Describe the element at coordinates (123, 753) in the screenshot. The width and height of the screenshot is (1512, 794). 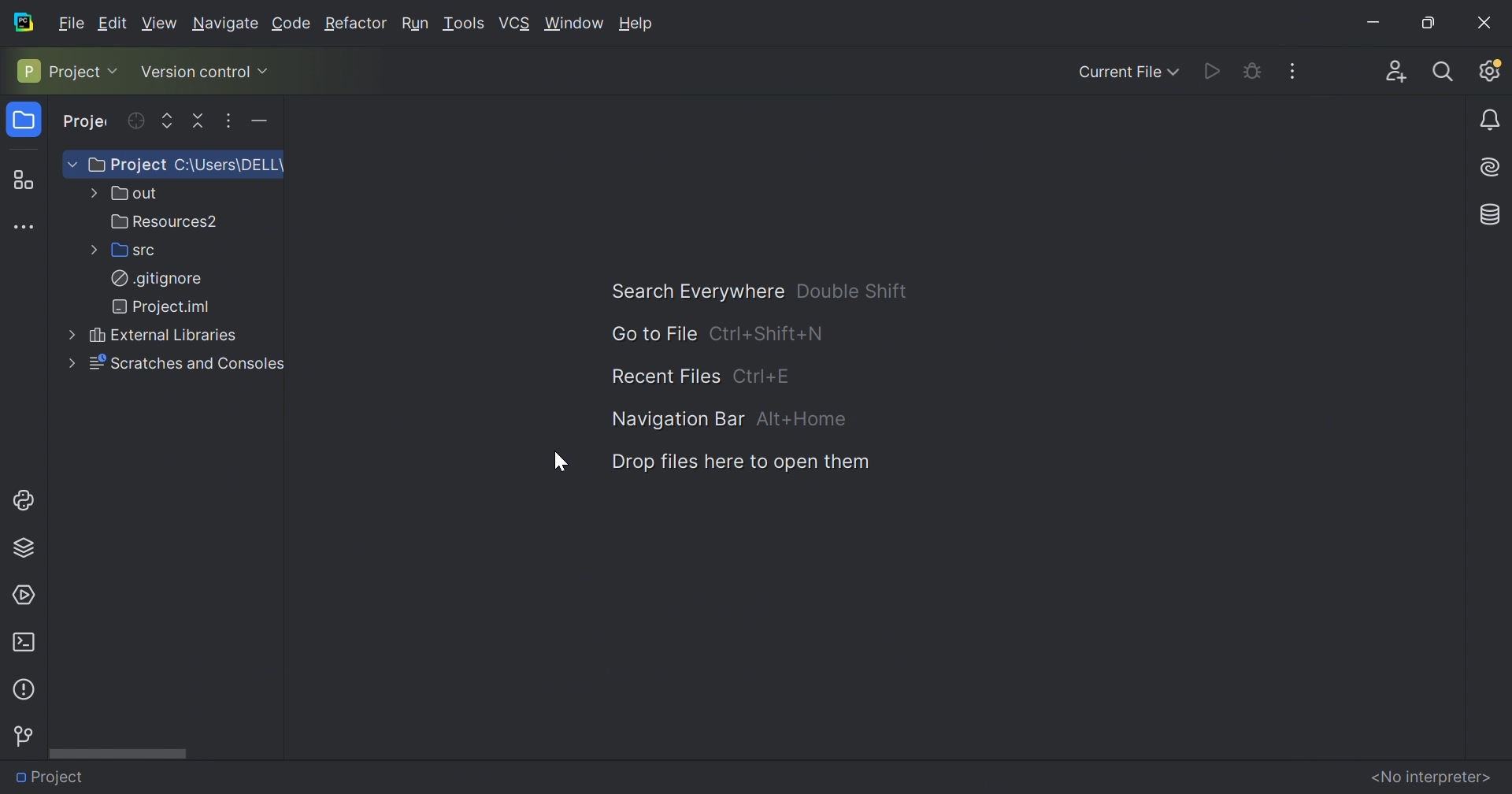
I see `Scroll bar` at that location.